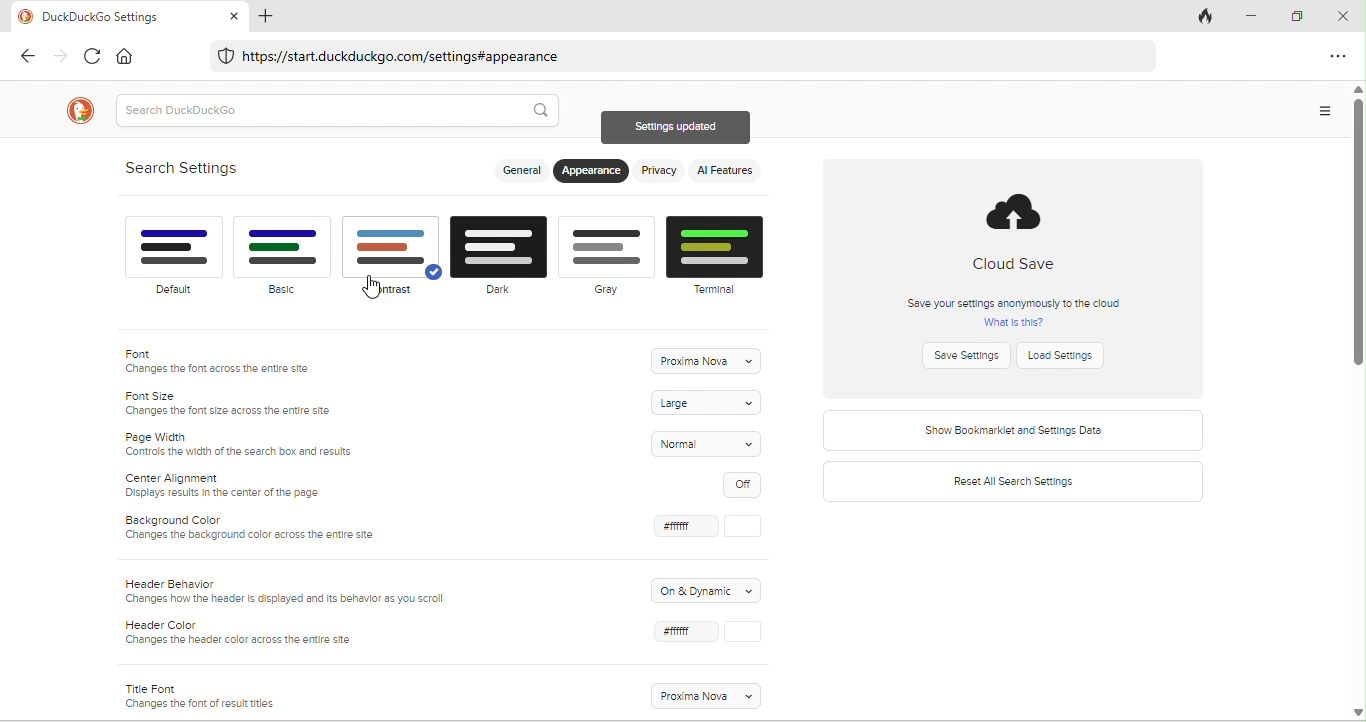  Describe the element at coordinates (240, 443) in the screenshot. I see `page worth` at that location.